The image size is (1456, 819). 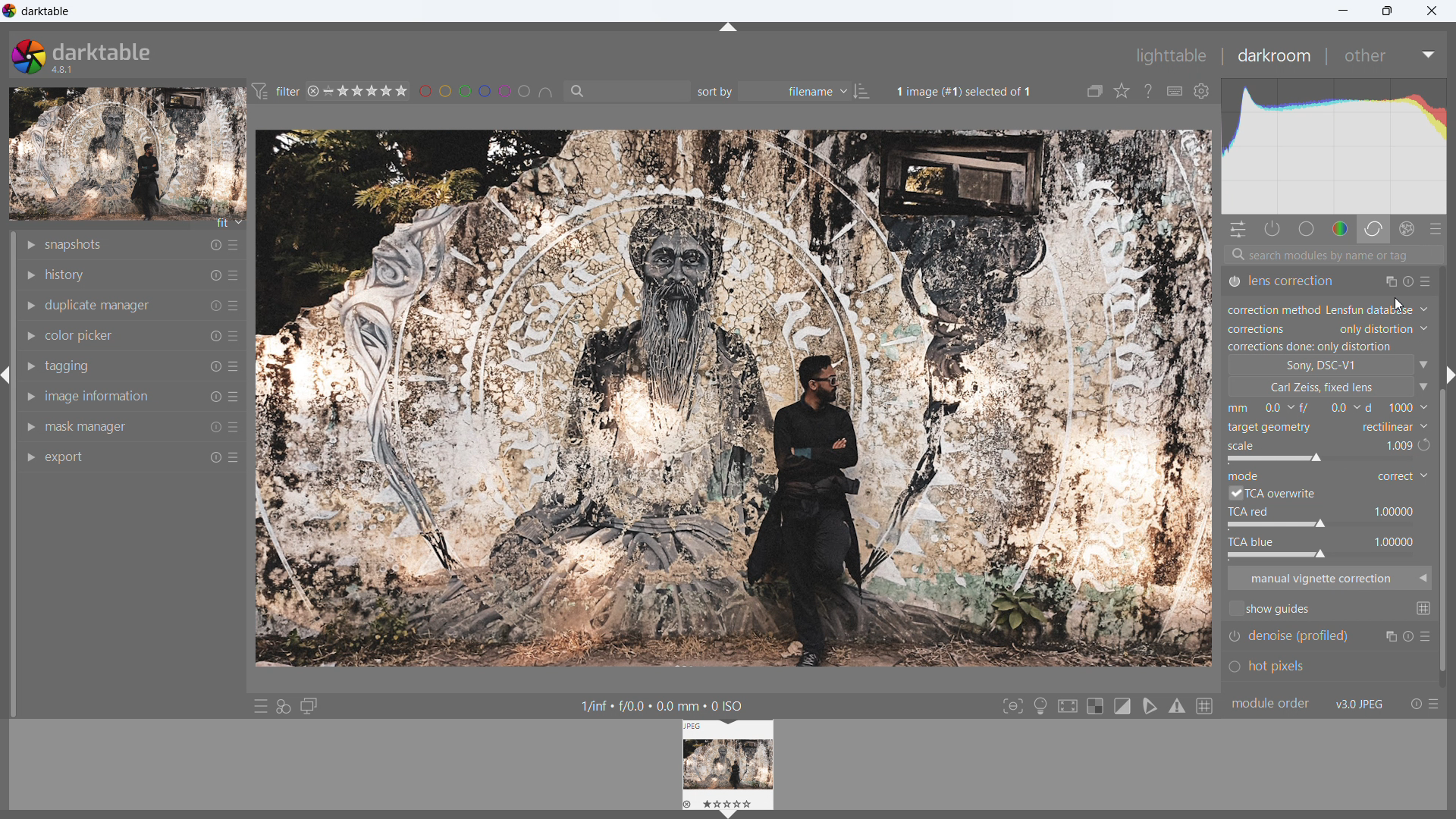 What do you see at coordinates (10, 11) in the screenshot?
I see `logo` at bounding box center [10, 11].